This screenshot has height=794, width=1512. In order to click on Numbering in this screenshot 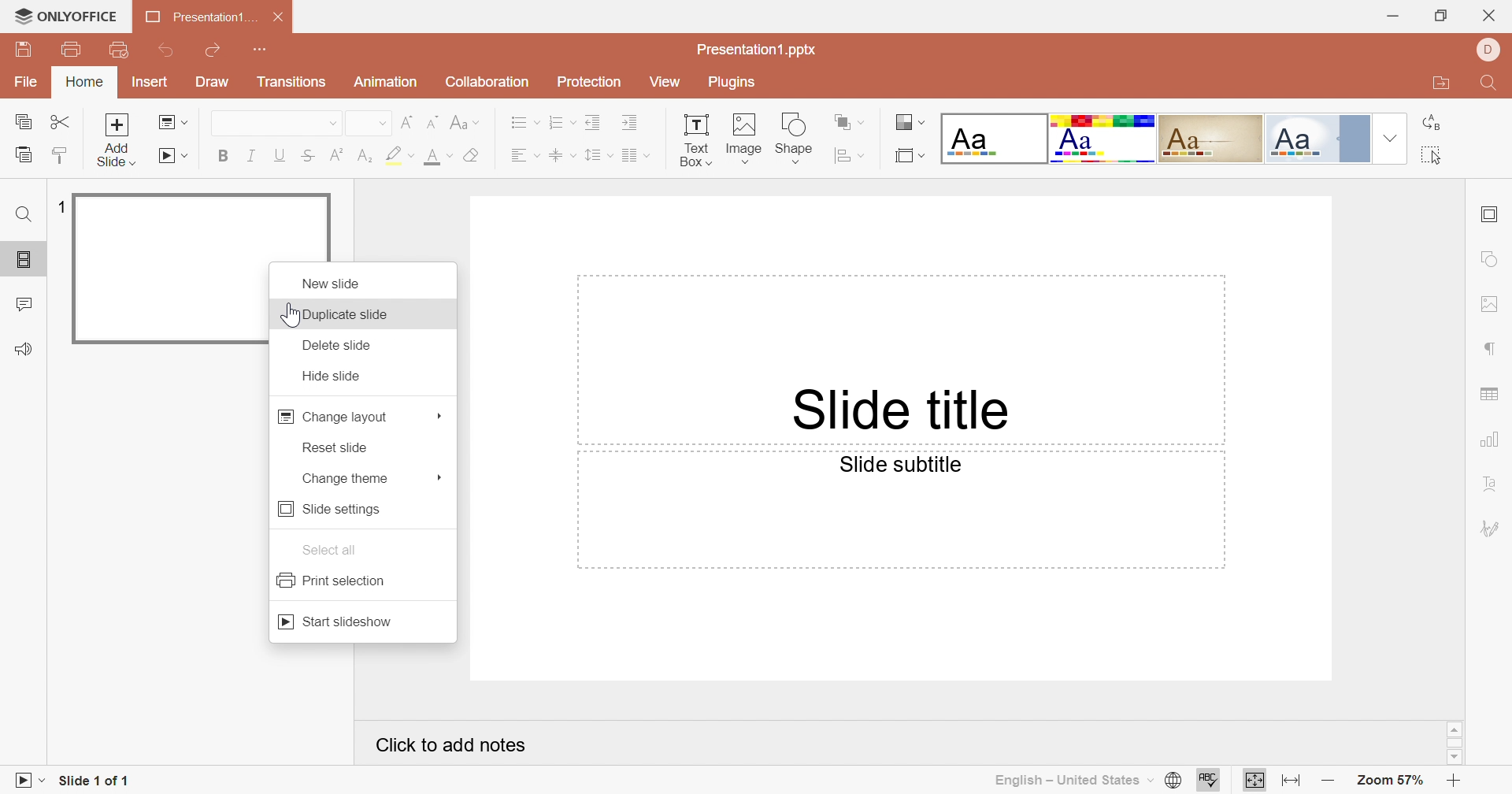, I will do `click(555, 121)`.